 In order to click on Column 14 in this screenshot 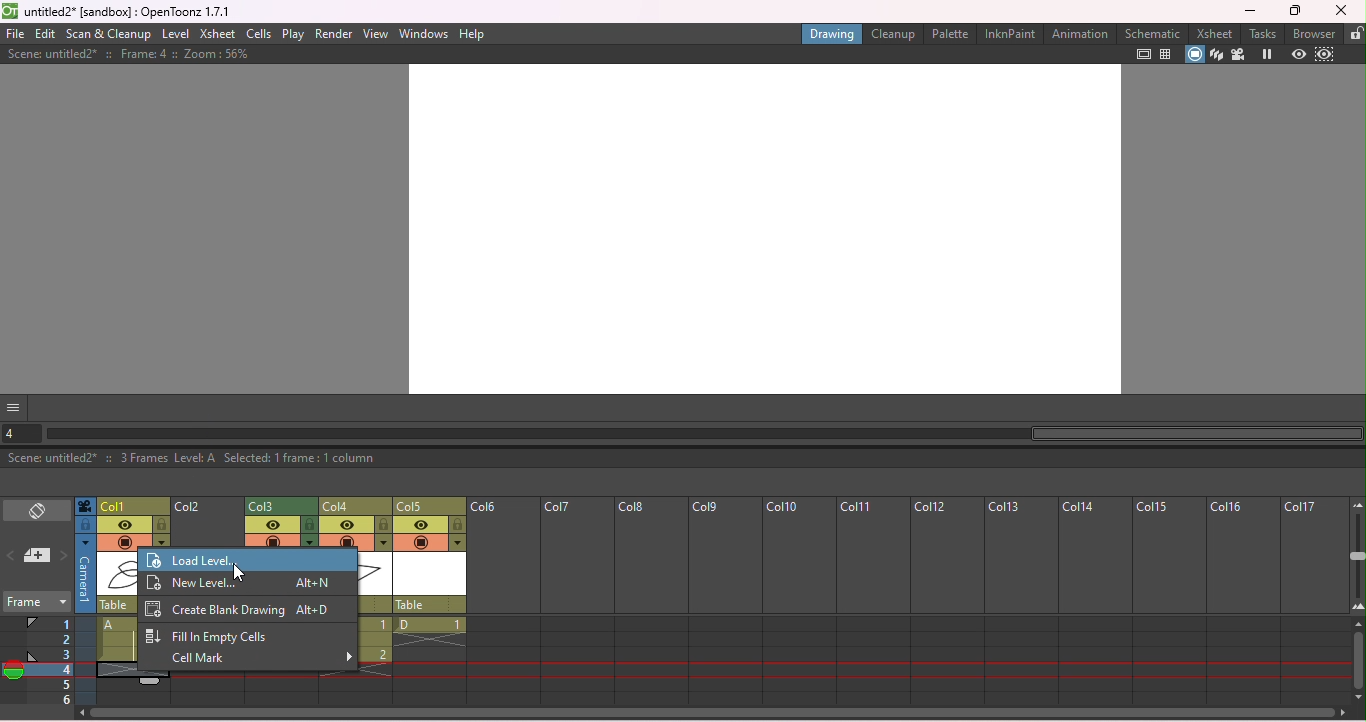, I will do `click(1095, 602)`.